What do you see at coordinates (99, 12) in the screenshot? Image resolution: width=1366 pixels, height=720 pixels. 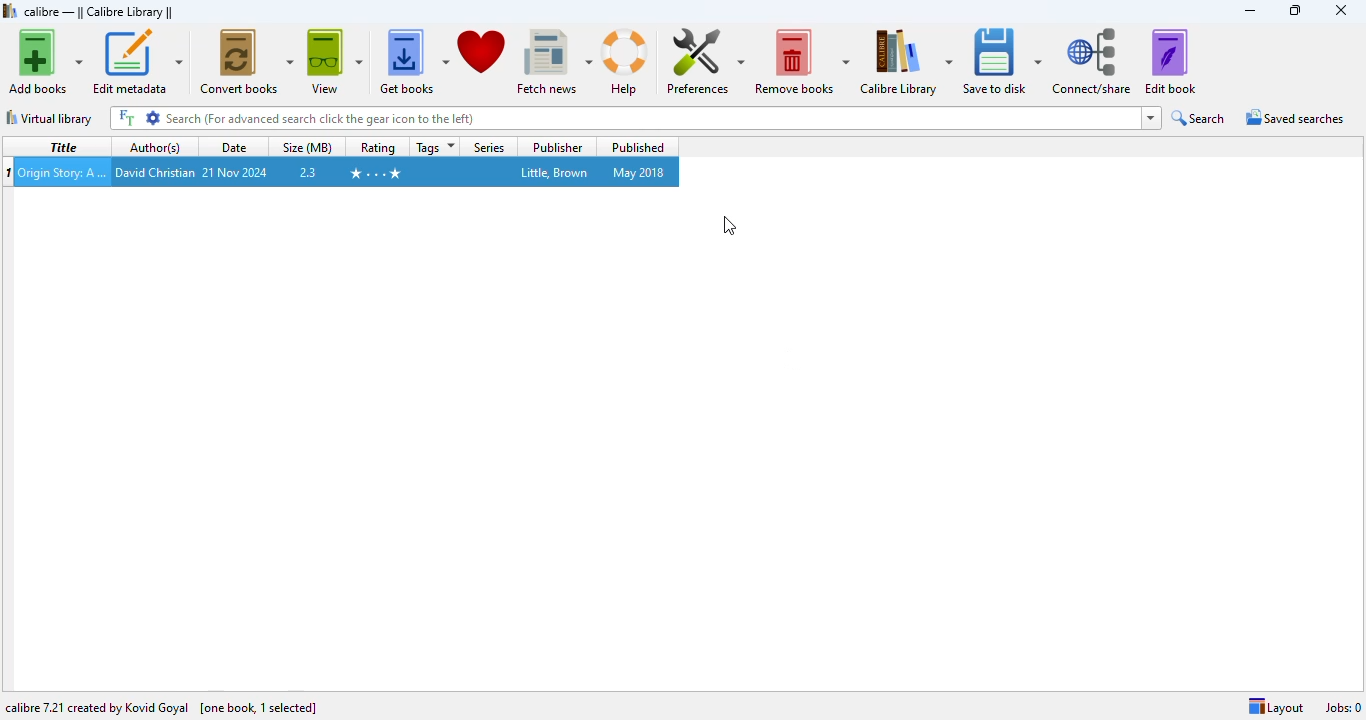 I see `calibre library` at bounding box center [99, 12].